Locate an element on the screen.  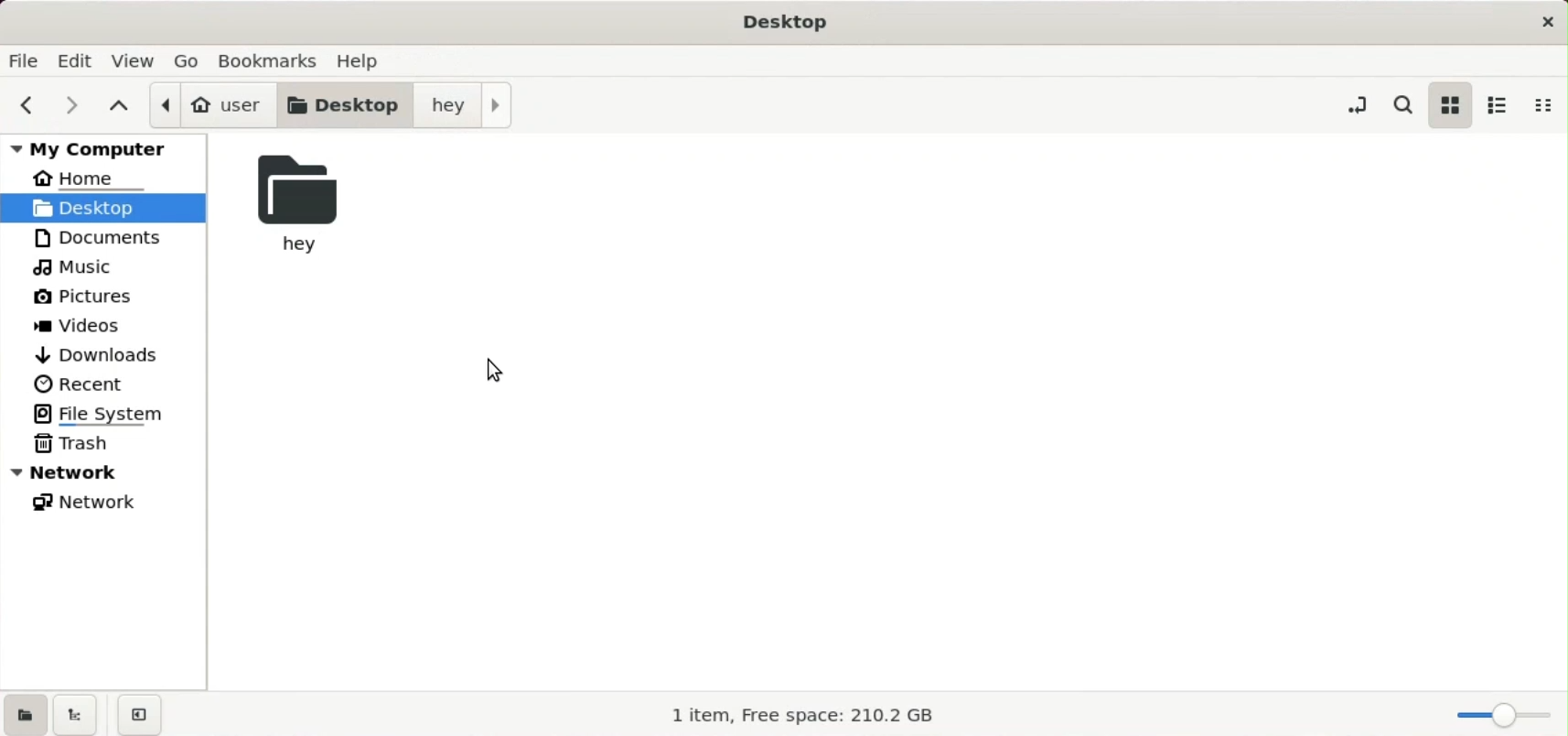
music is located at coordinates (77, 266).